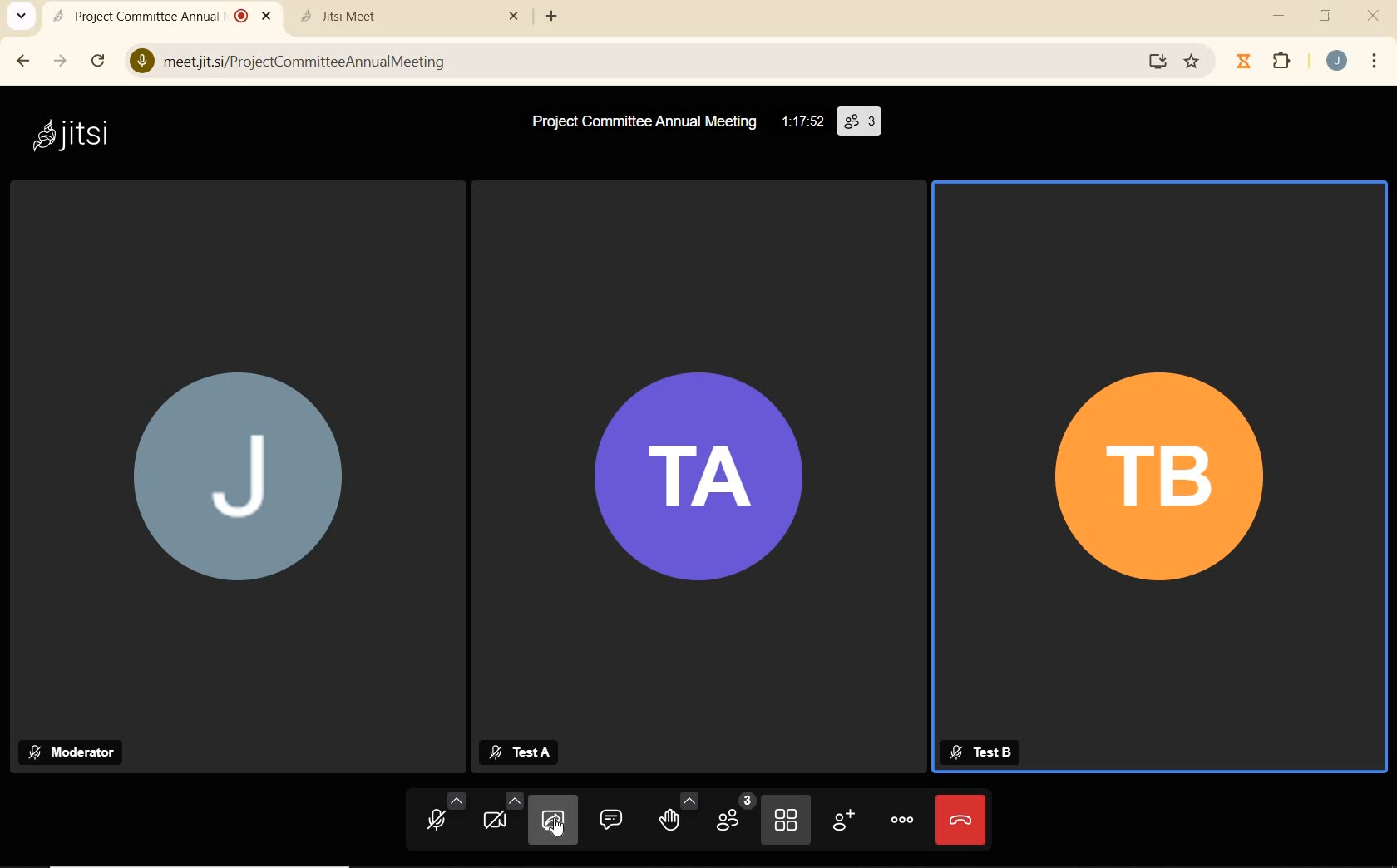  Describe the element at coordinates (787, 821) in the screenshot. I see `TOGGLE TIE VIEW` at that location.